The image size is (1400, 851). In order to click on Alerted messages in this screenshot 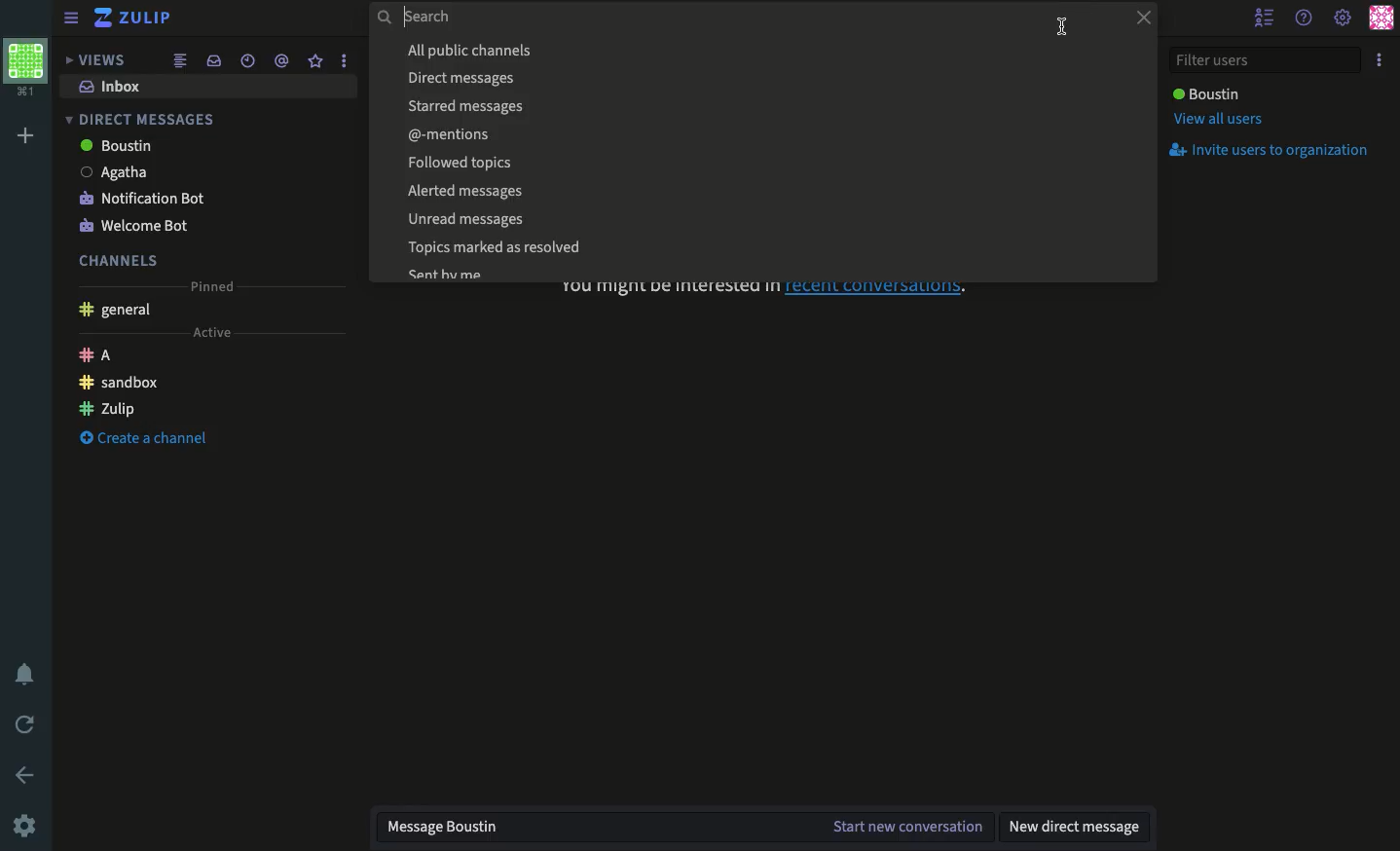, I will do `click(767, 191)`.